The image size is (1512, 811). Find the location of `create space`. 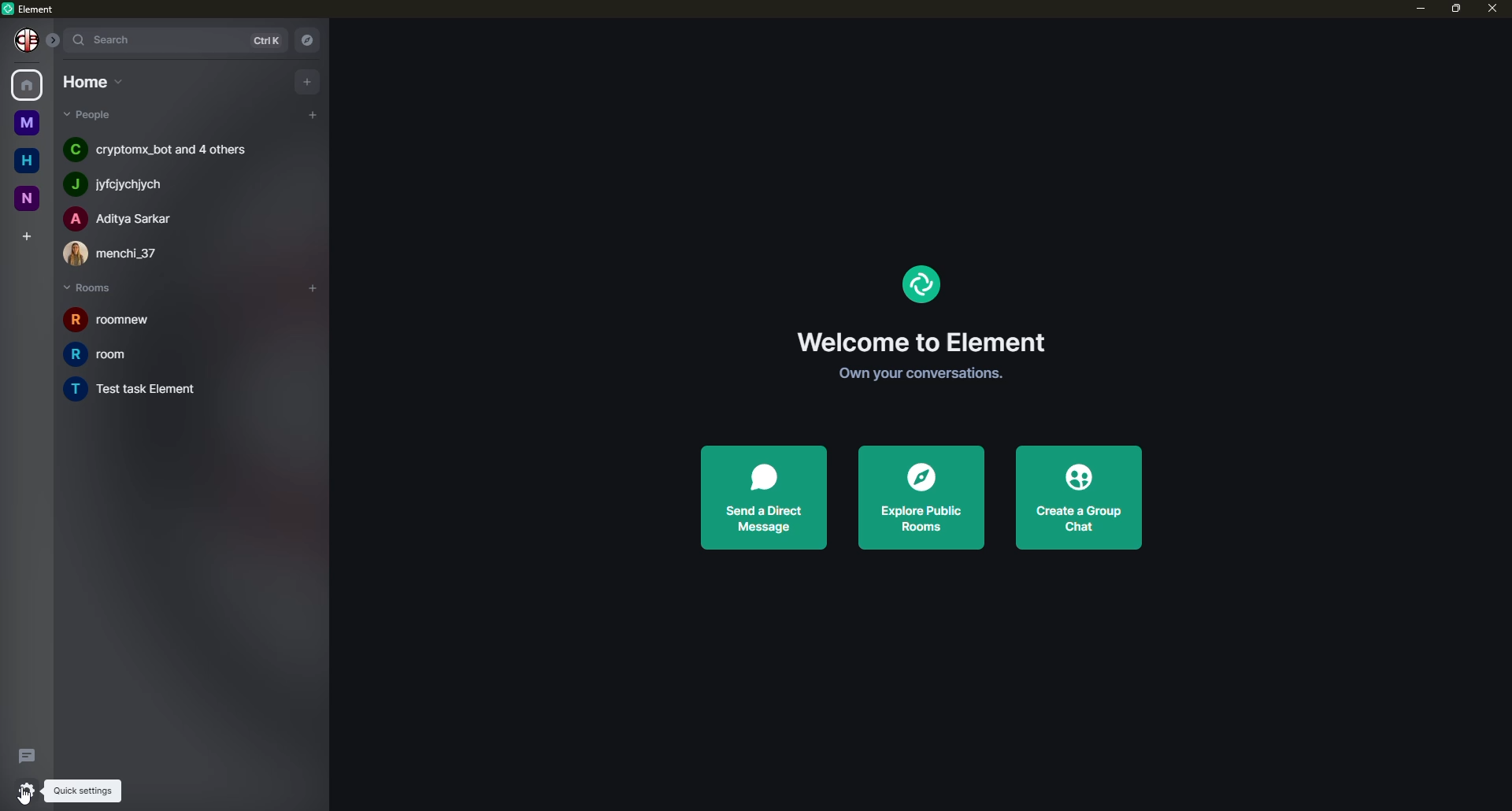

create space is located at coordinates (25, 235).